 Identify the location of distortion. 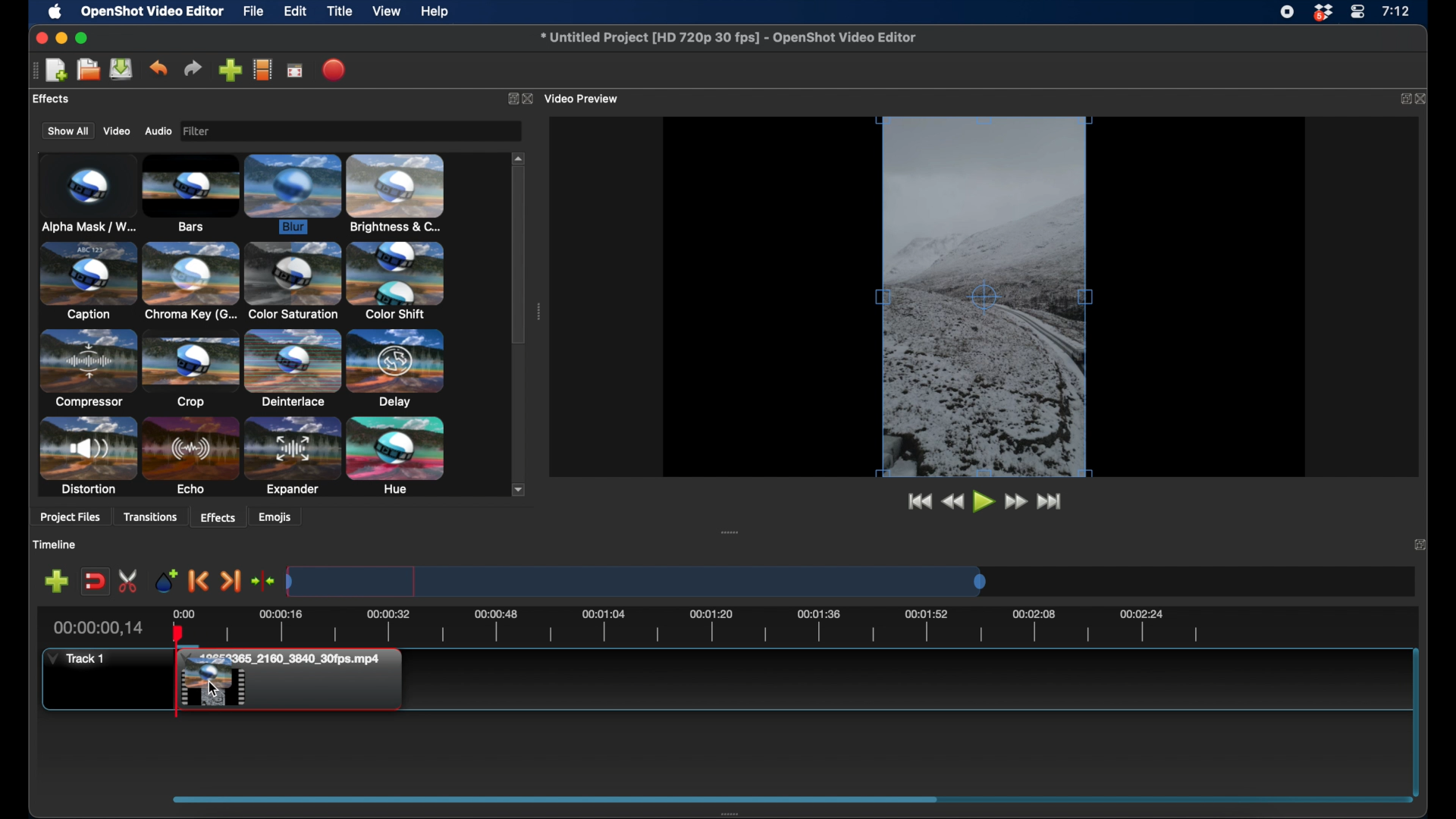
(86, 456).